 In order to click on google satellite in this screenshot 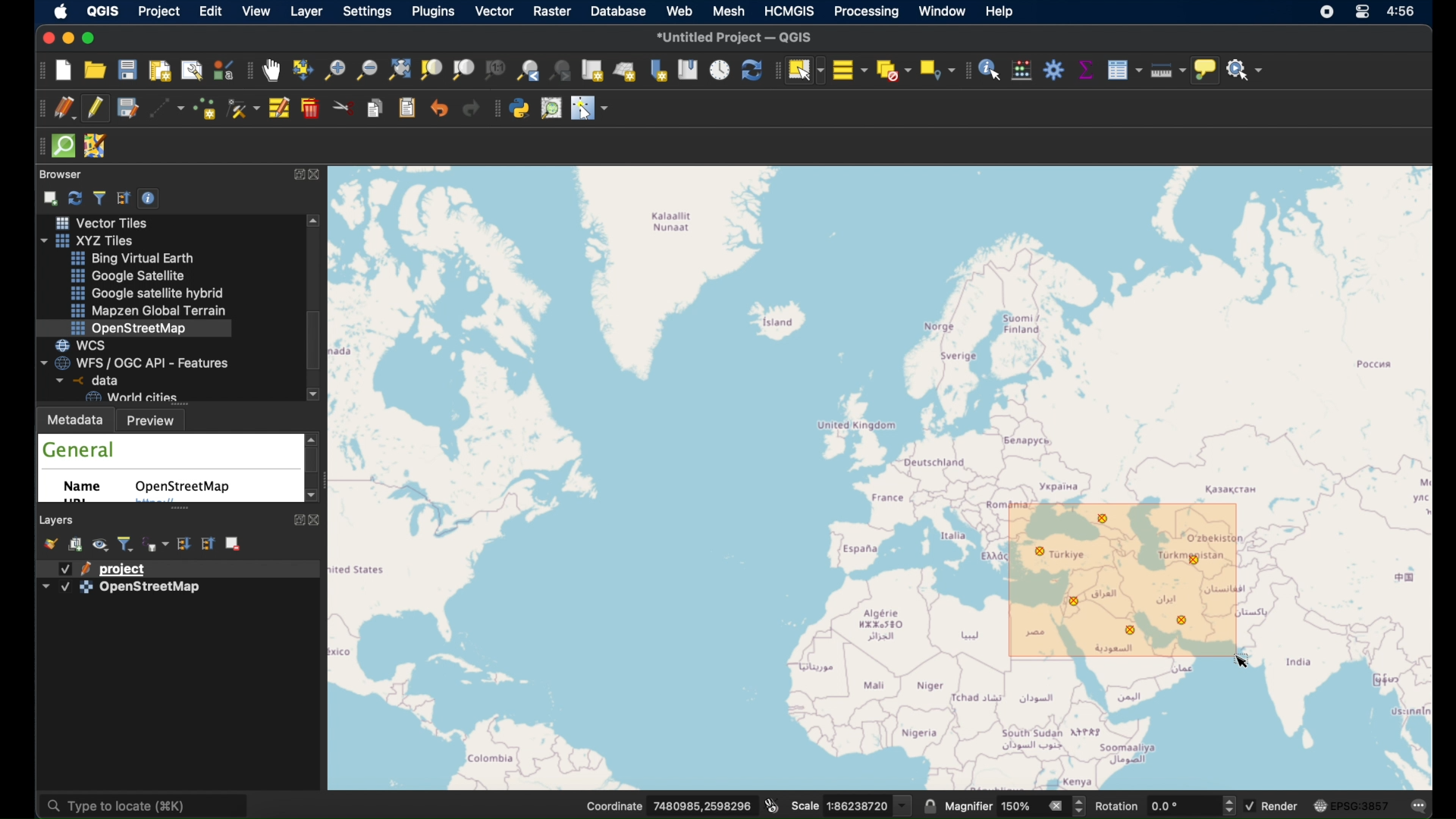, I will do `click(128, 276)`.